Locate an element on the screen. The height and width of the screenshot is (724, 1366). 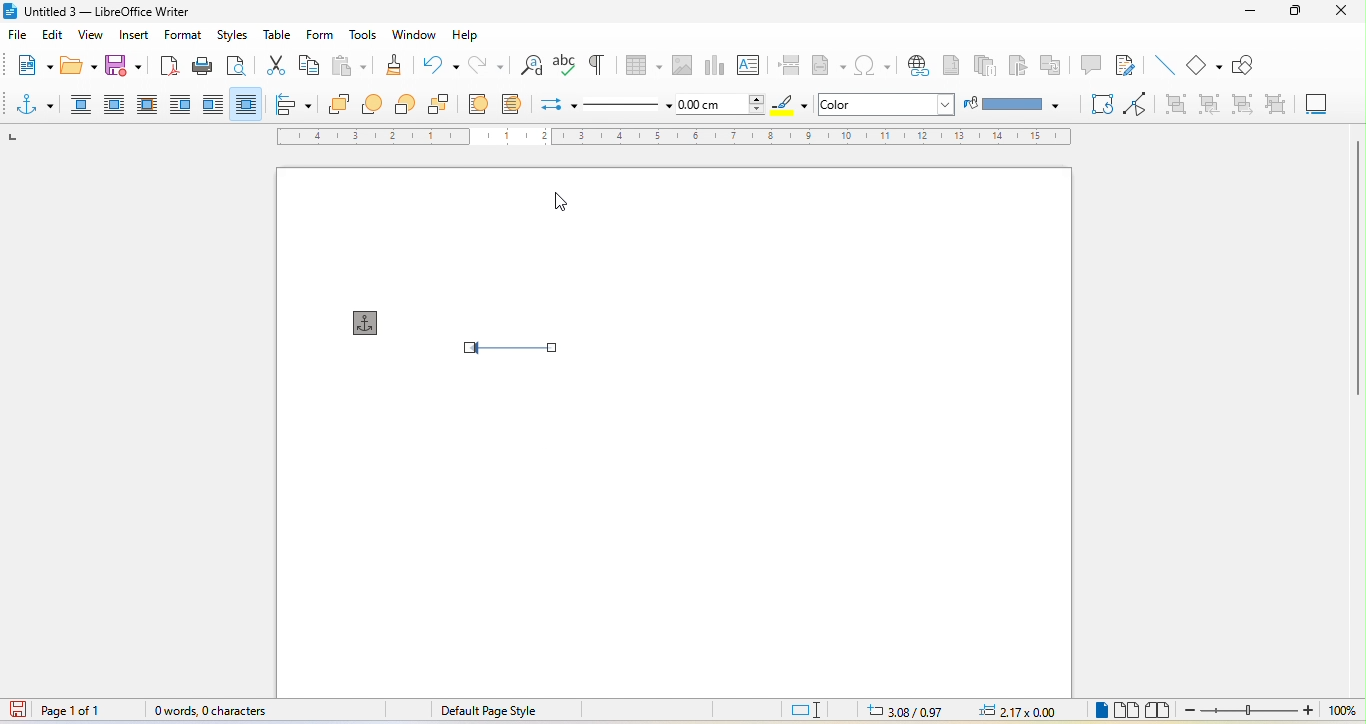
form is located at coordinates (319, 35).